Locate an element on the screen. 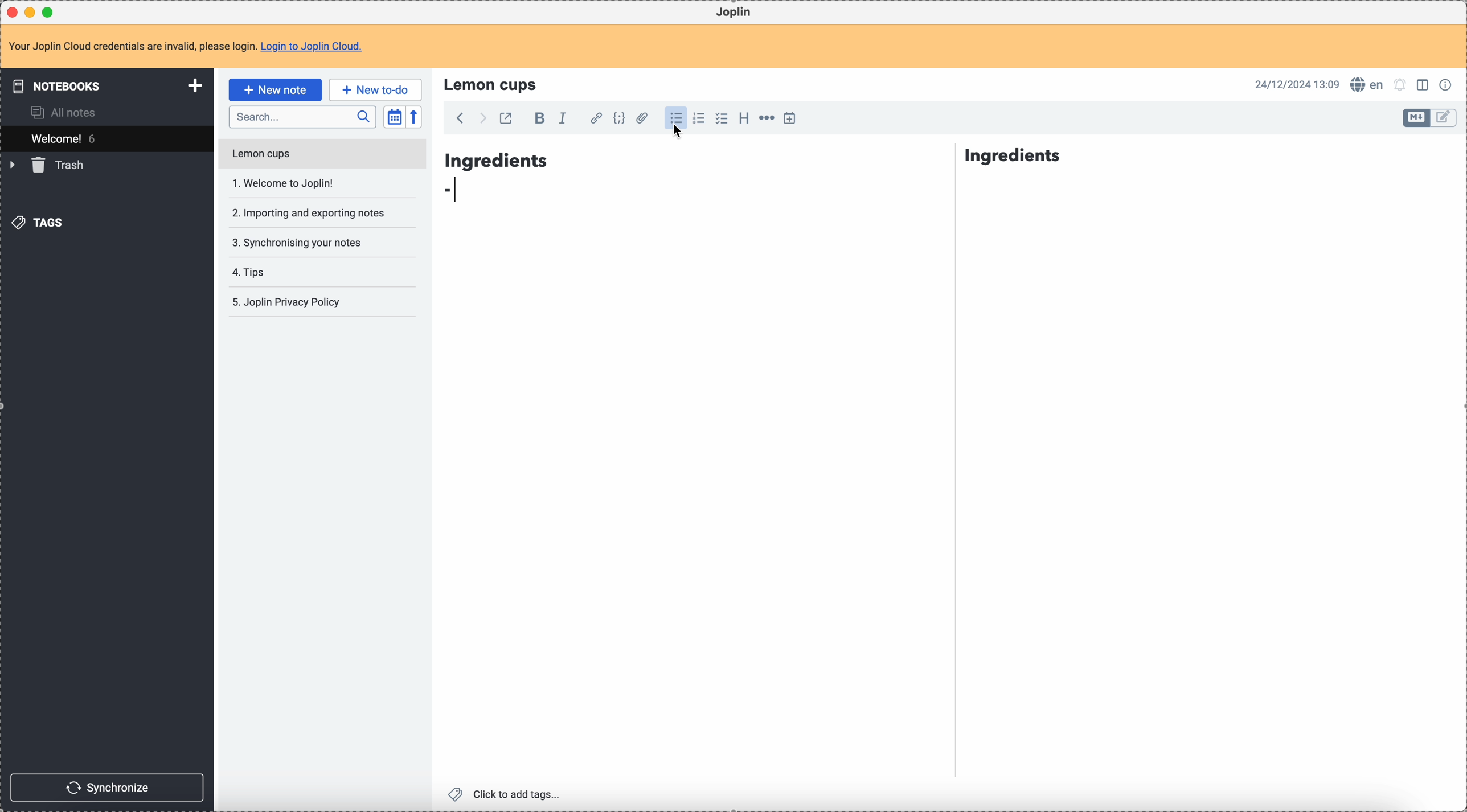 This screenshot has width=1467, height=812. ingredients bold is located at coordinates (756, 157).